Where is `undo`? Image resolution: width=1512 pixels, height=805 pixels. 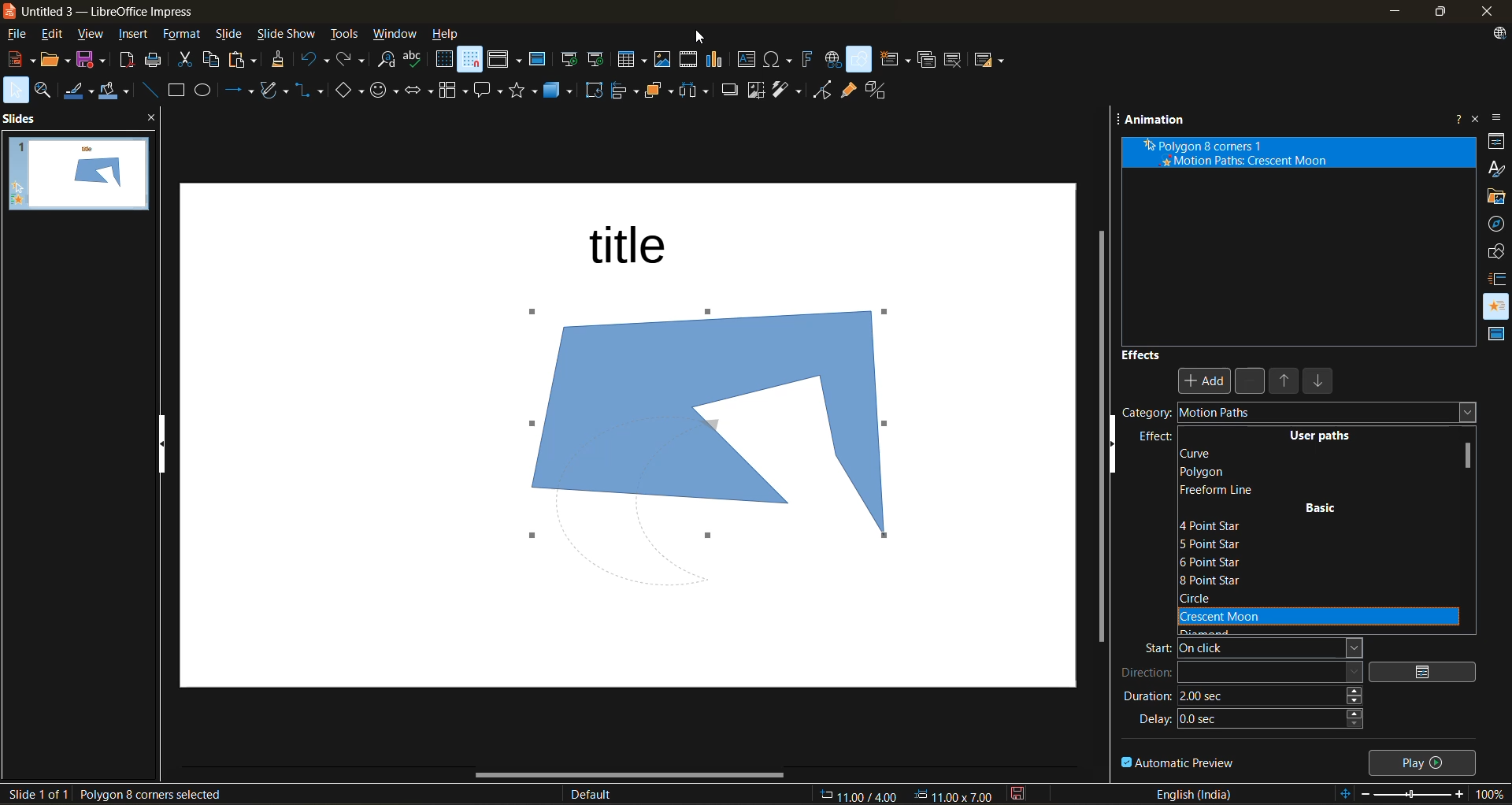
undo is located at coordinates (314, 60).